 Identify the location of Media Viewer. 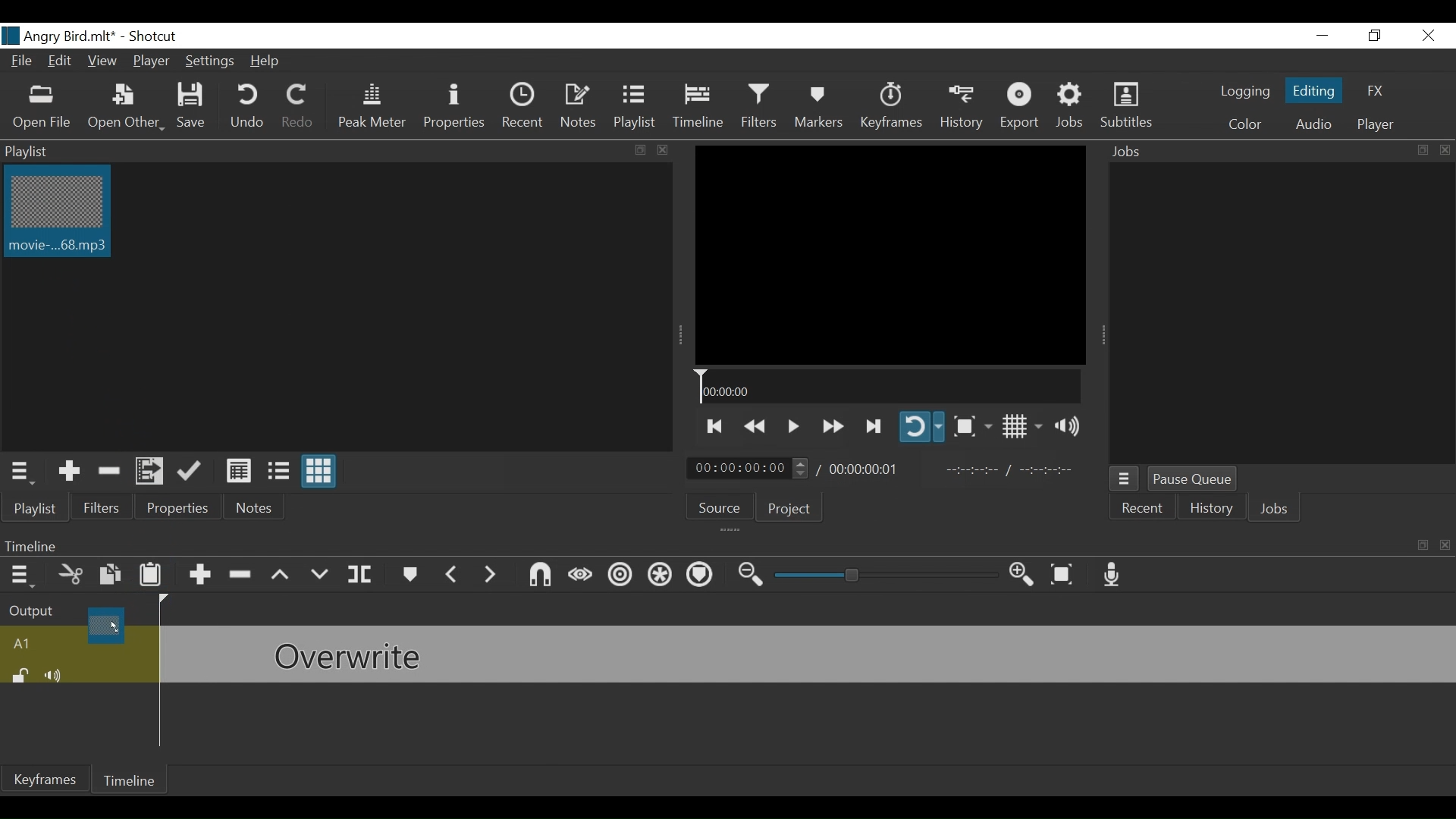
(890, 255).